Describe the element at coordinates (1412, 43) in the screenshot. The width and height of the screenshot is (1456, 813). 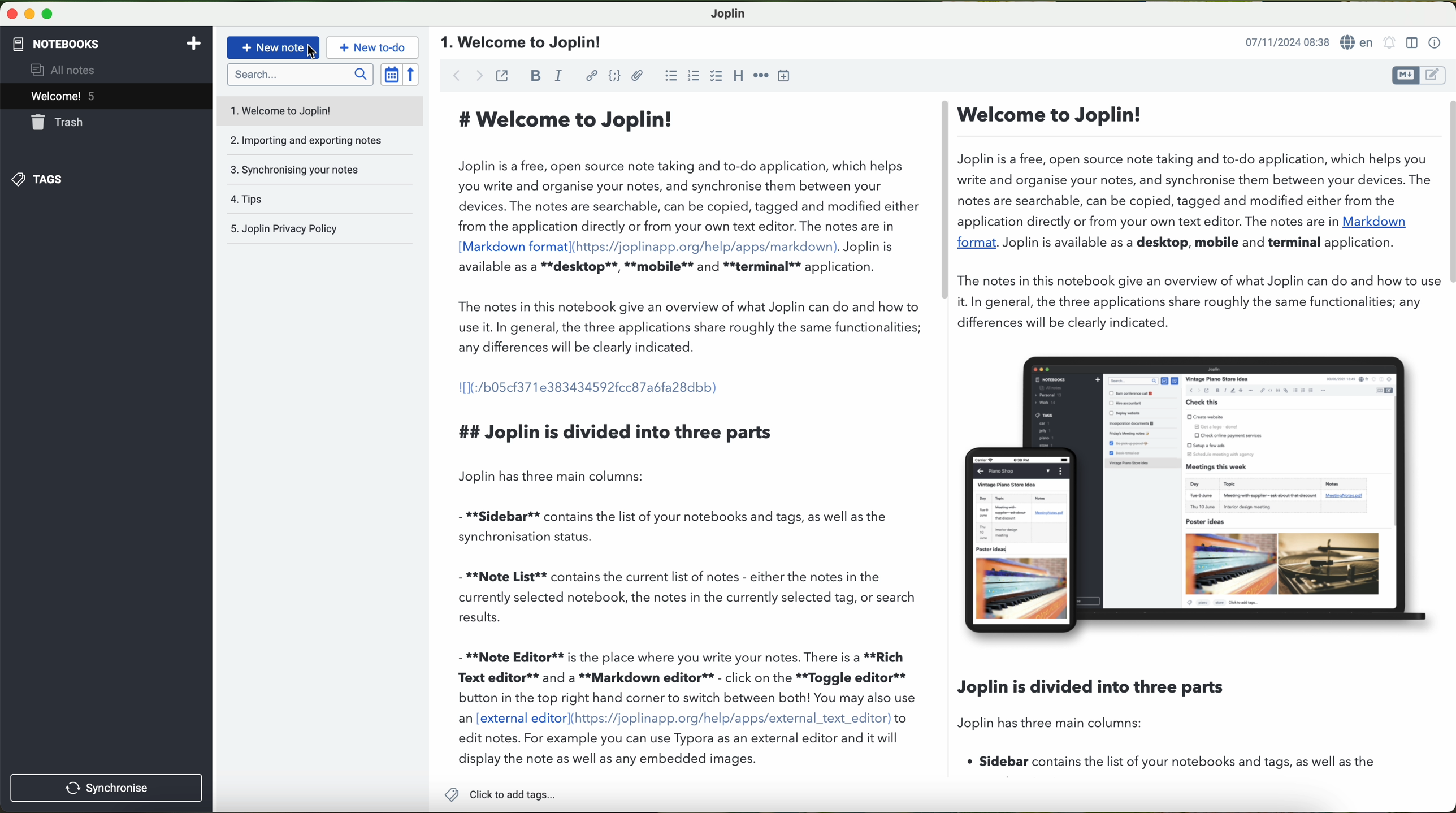
I see `toggle editor layout` at that location.